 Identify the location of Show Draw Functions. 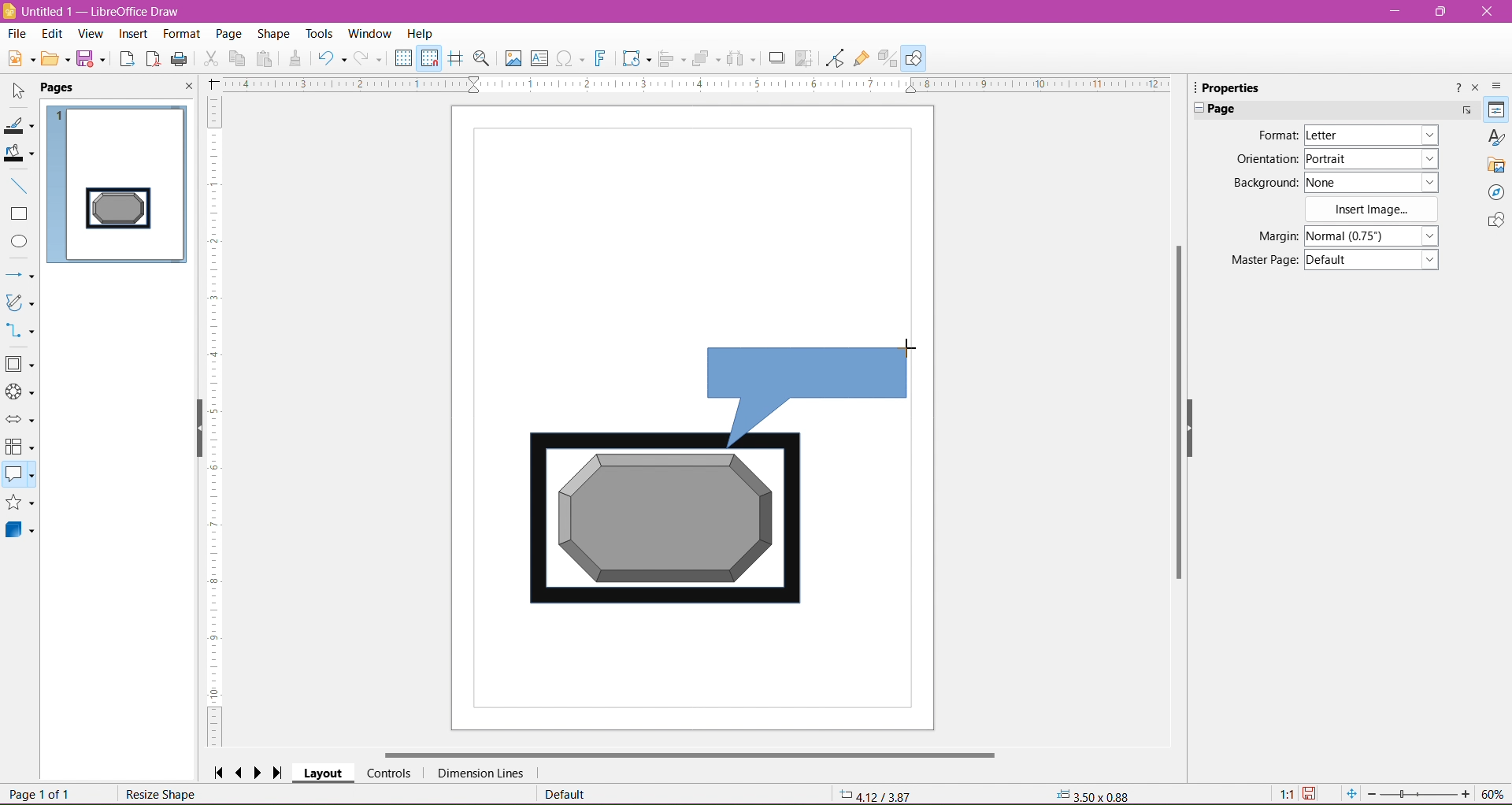
(916, 57).